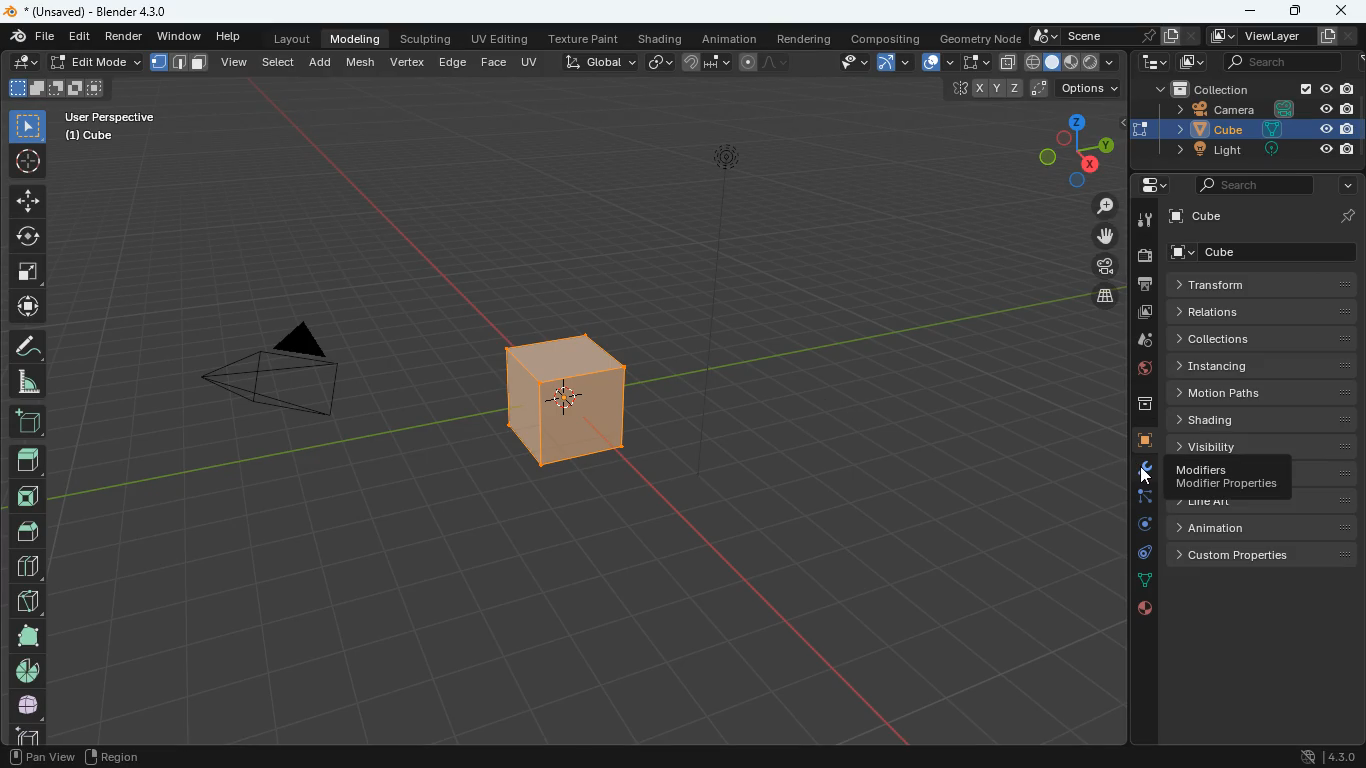 The image size is (1366, 768). Describe the element at coordinates (30, 161) in the screenshot. I see `aim` at that location.